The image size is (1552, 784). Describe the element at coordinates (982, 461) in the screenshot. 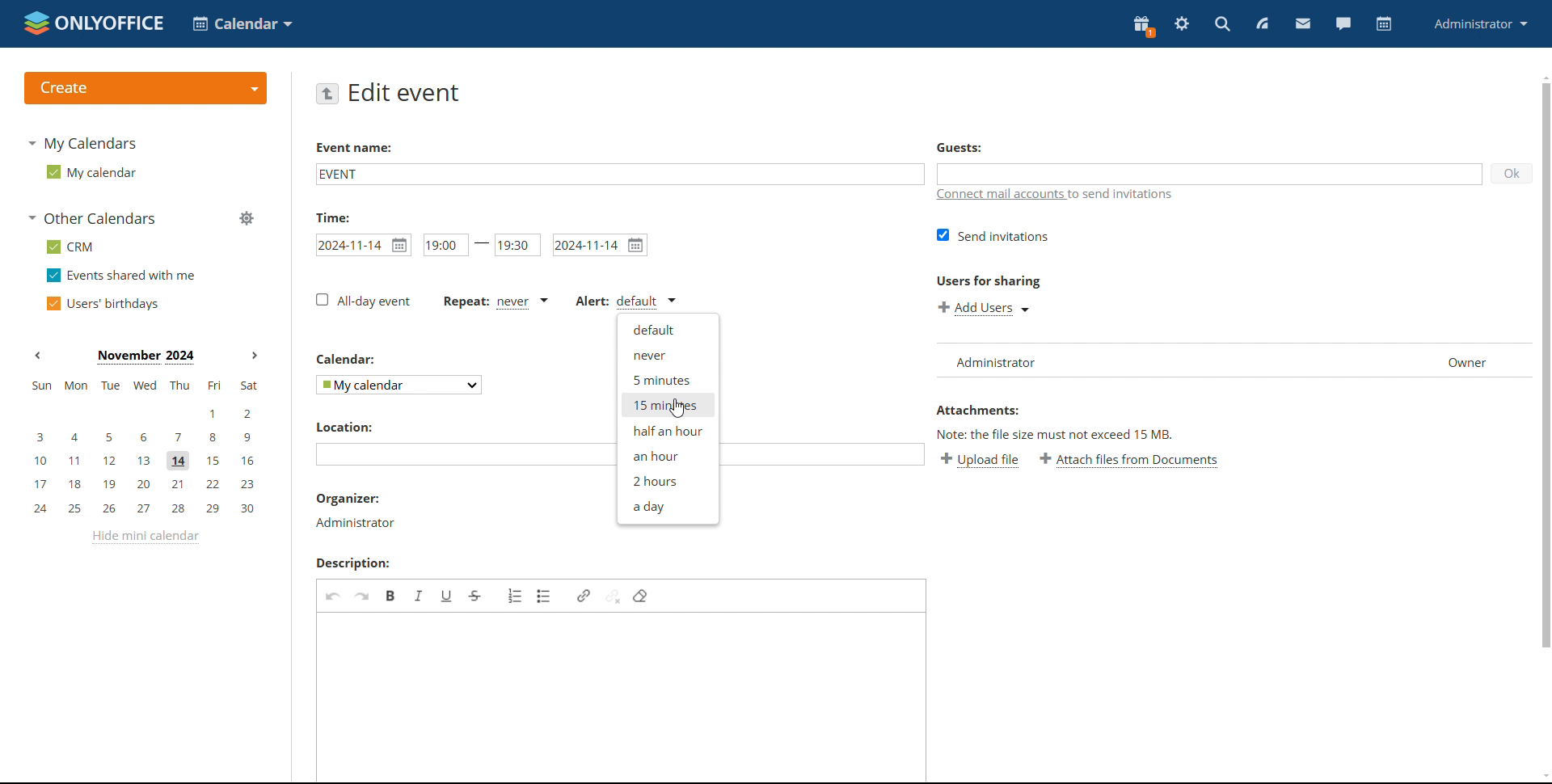

I see `upload file` at that location.